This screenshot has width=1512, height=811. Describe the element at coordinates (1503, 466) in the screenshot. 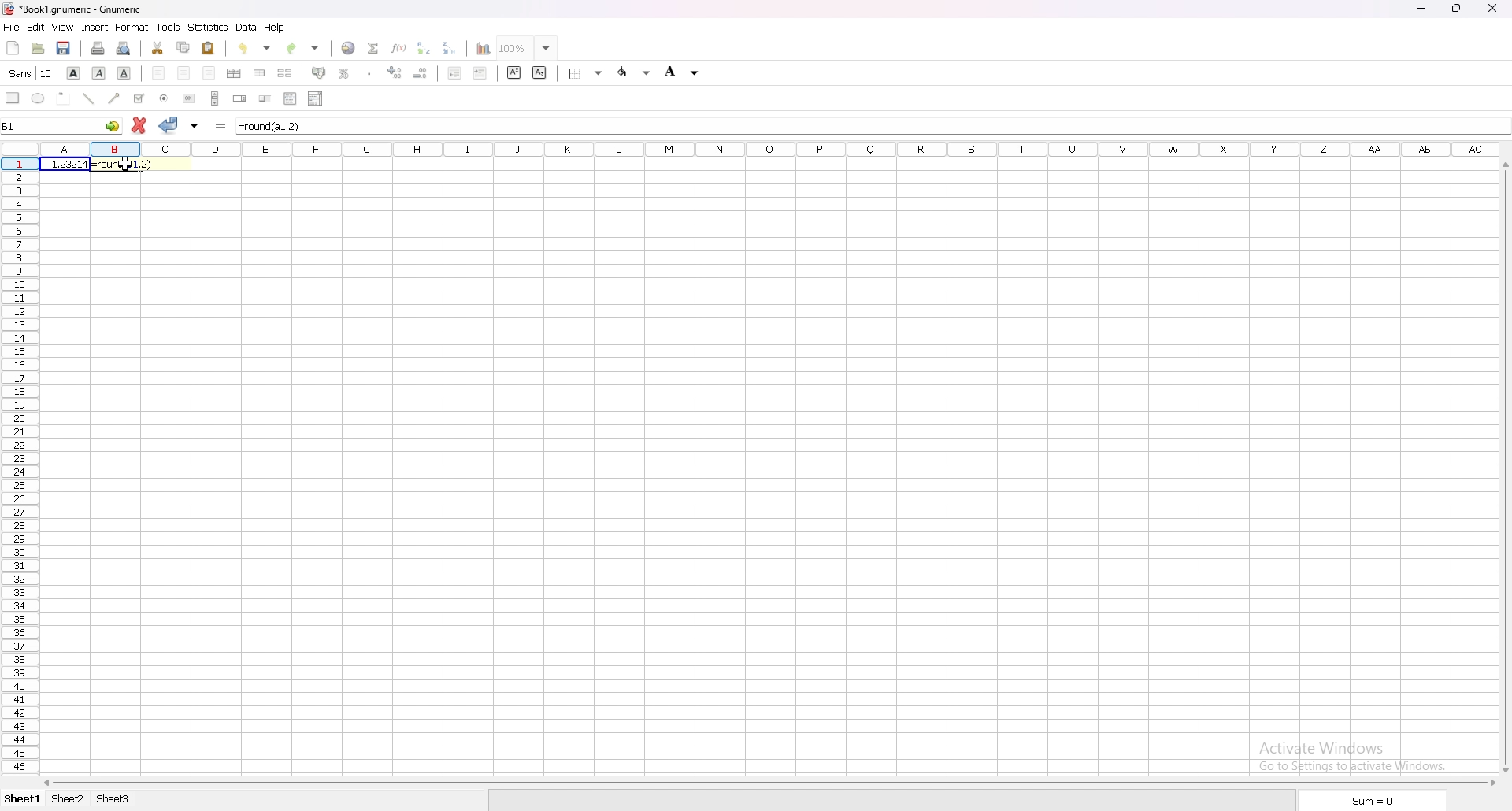

I see `scroll bar` at that location.